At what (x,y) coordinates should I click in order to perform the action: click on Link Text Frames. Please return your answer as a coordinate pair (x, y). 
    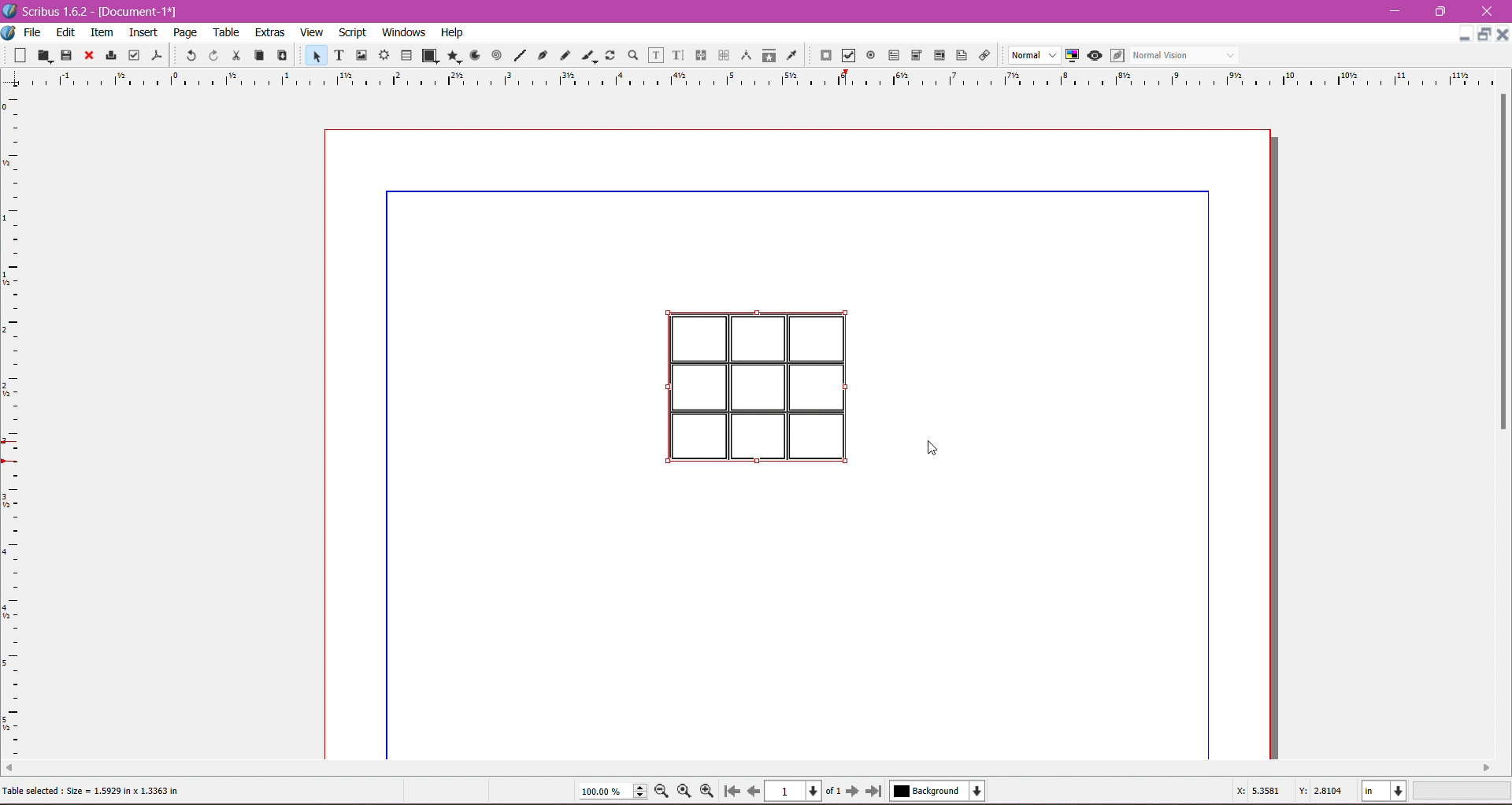
    Looking at the image, I should click on (699, 55).